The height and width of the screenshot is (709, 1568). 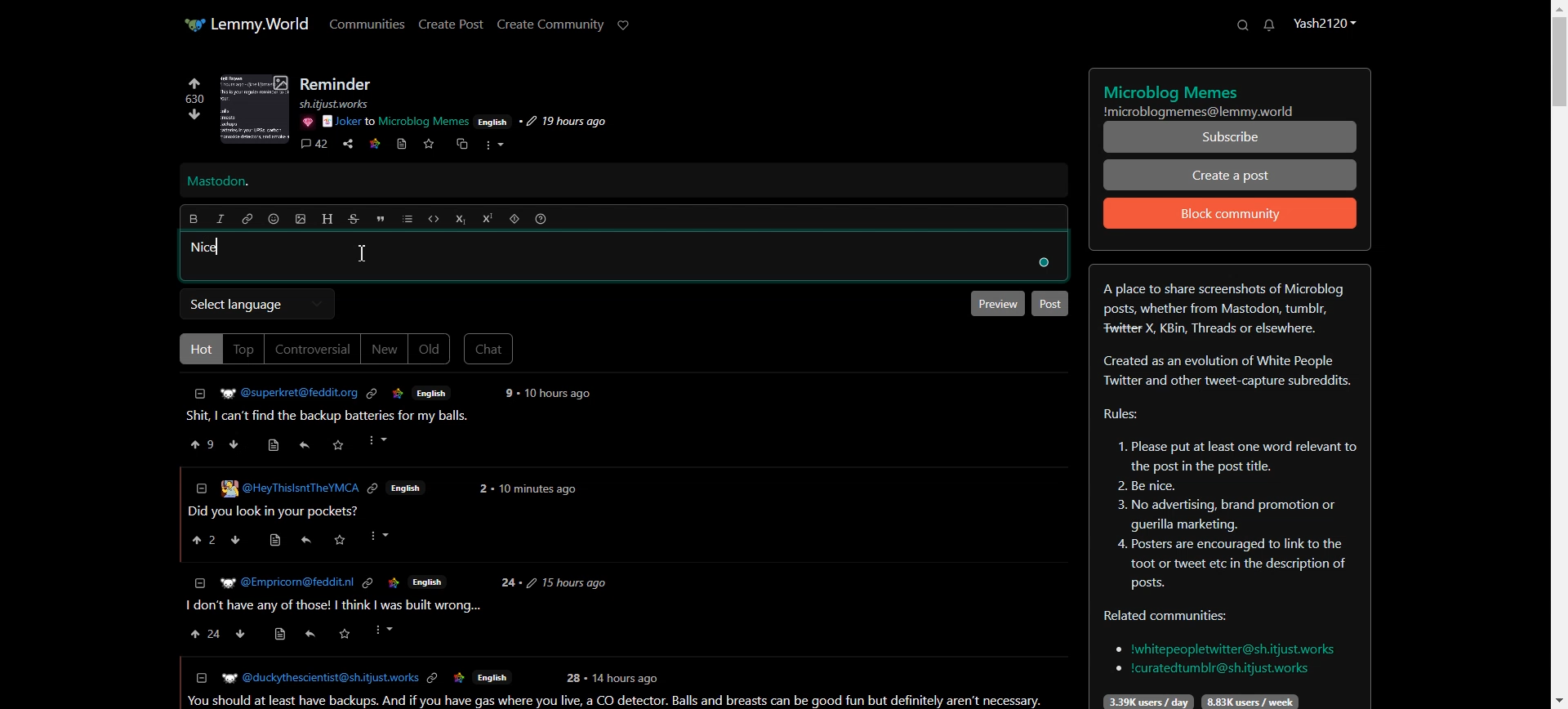 I want to click on Text, so click(x=218, y=182).